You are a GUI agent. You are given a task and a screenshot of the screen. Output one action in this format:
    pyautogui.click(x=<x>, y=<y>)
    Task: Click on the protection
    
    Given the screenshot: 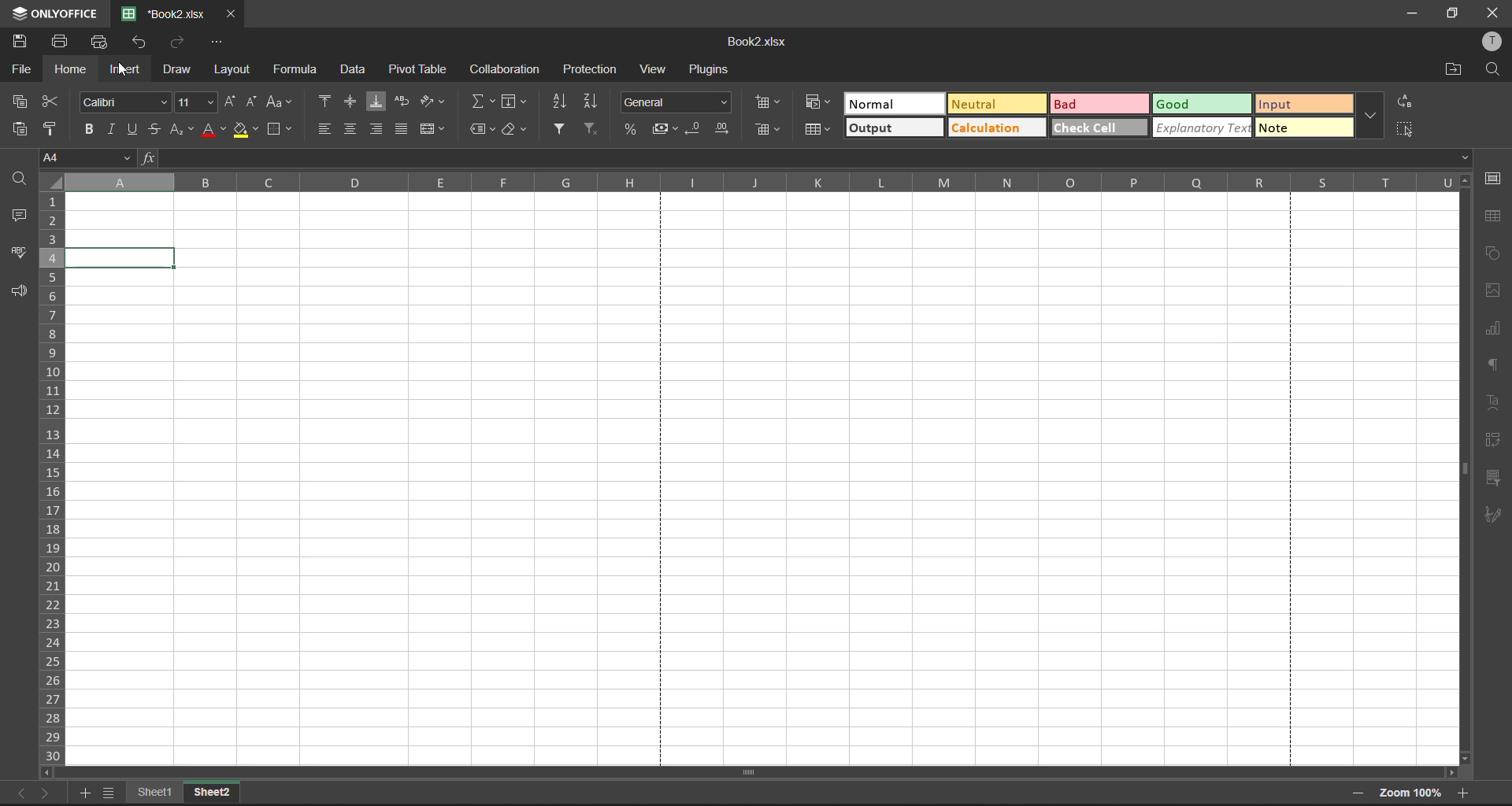 What is the action you would take?
    pyautogui.click(x=589, y=68)
    